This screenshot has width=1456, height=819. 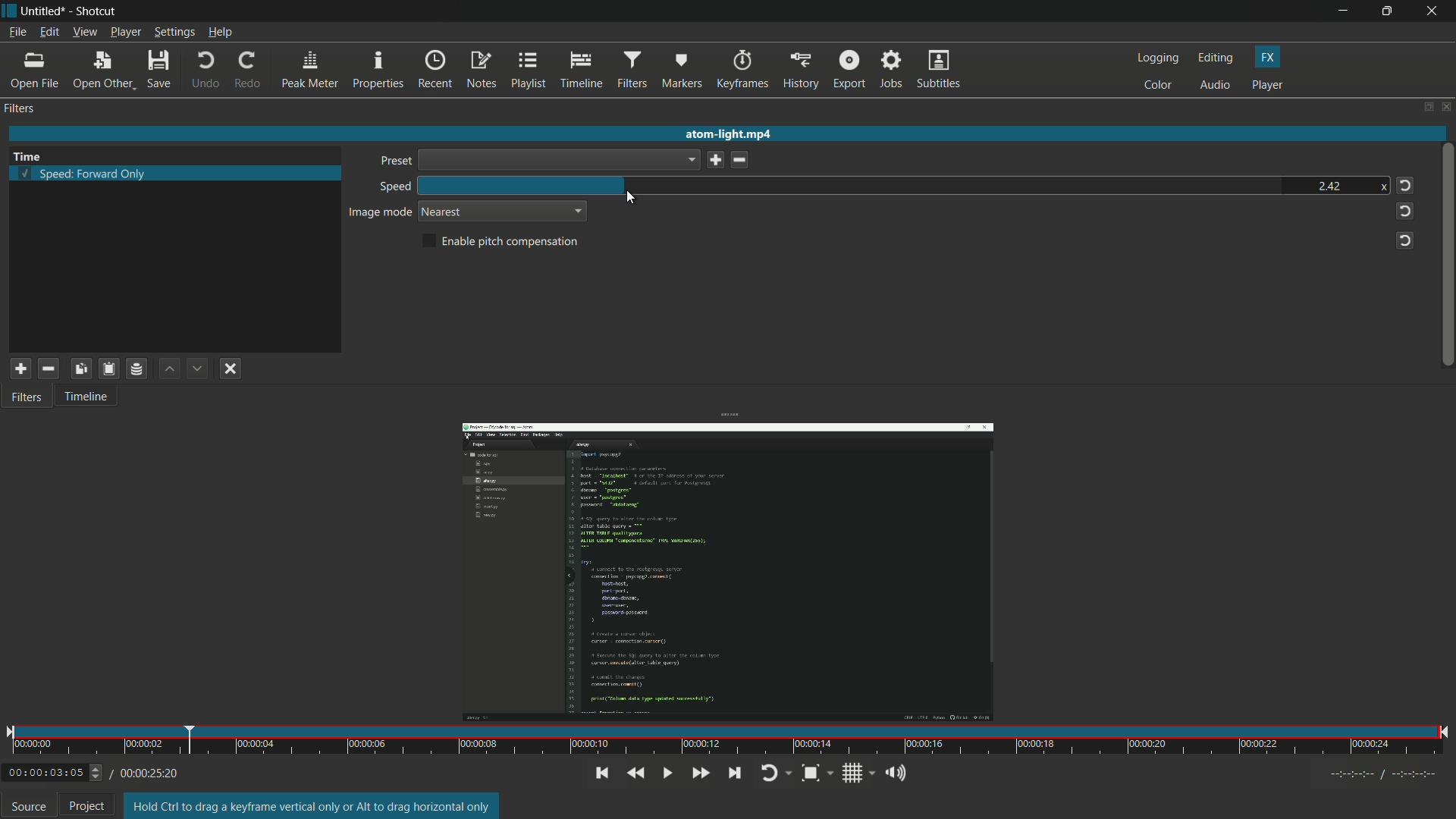 I want to click on delete, so click(x=742, y=160).